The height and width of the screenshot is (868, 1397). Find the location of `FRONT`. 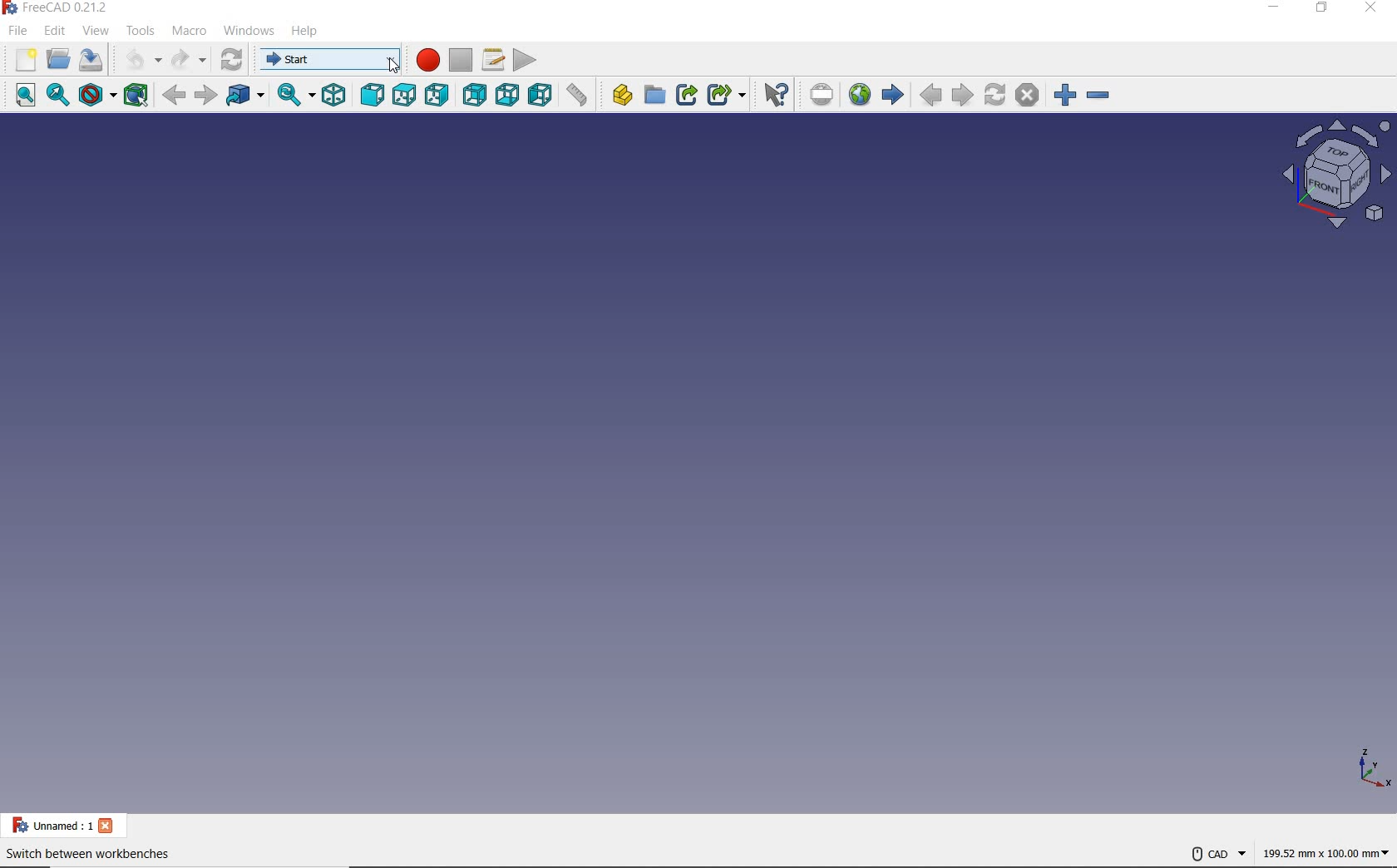

FRONT is located at coordinates (370, 96).